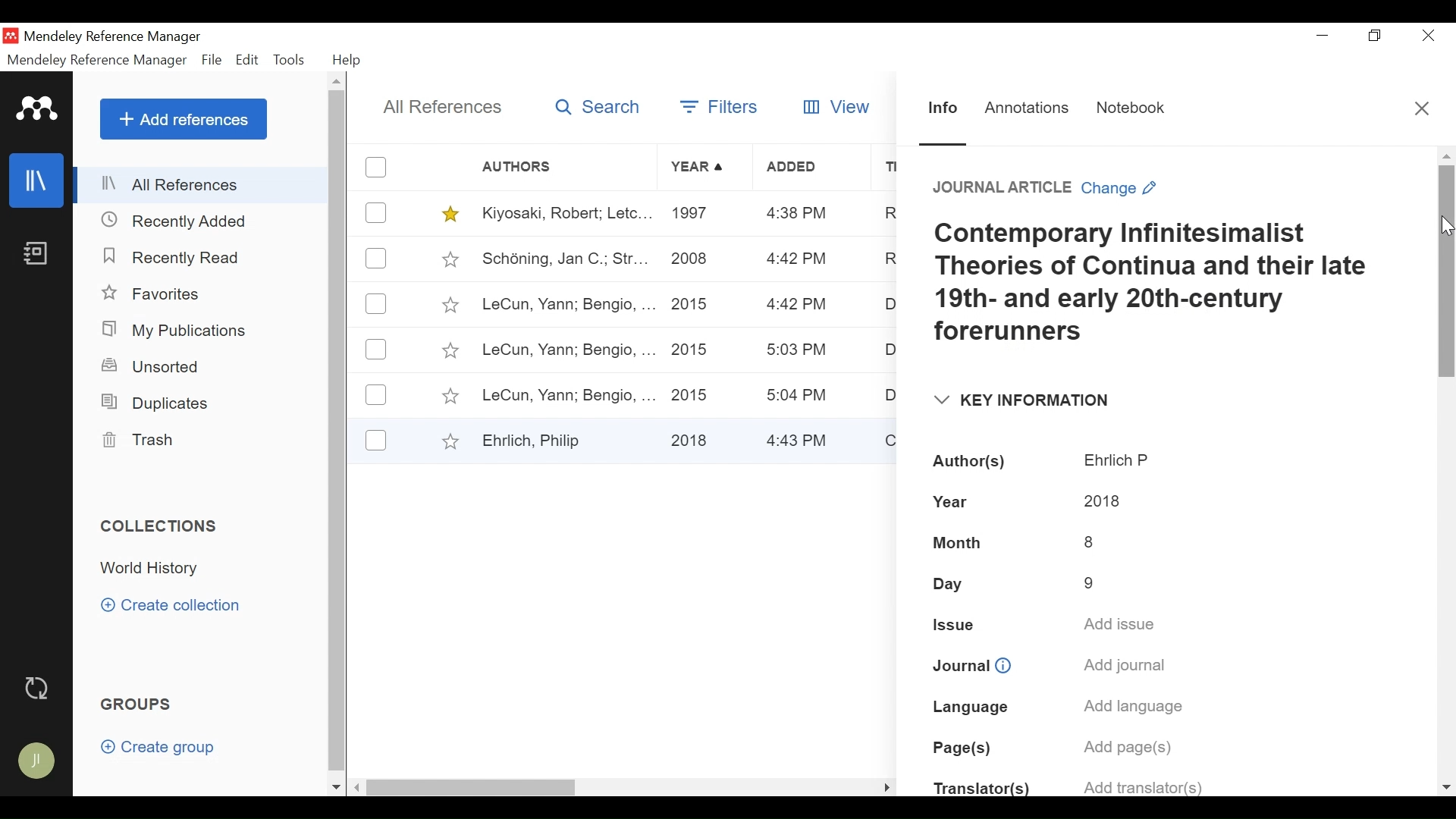 Image resolution: width=1456 pixels, height=819 pixels. Describe the element at coordinates (994, 189) in the screenshot. I see `JOURNAL ARTICLE` at that location.